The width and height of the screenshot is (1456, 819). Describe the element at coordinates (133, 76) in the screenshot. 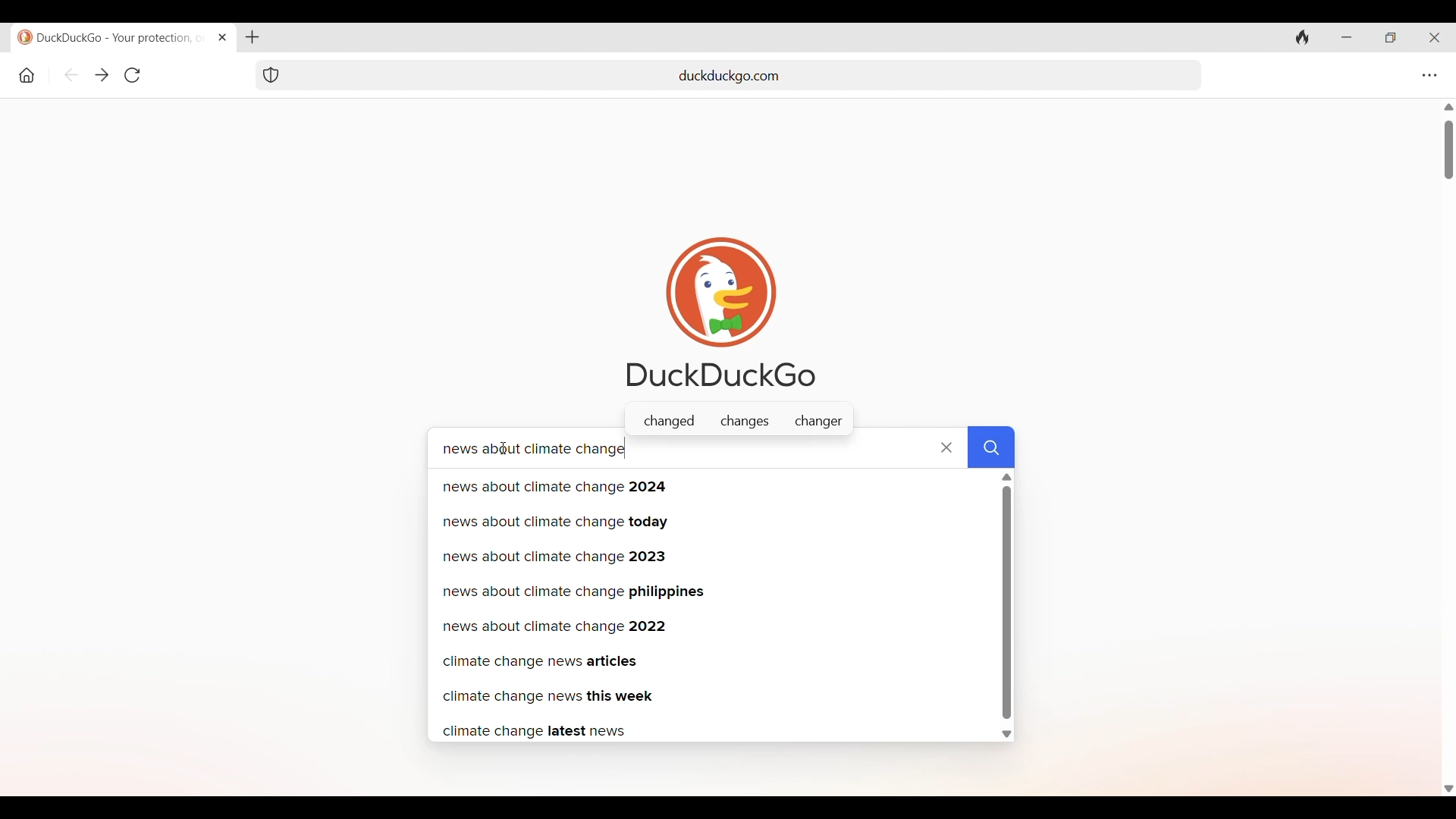

I see `Refresh page` at that location.